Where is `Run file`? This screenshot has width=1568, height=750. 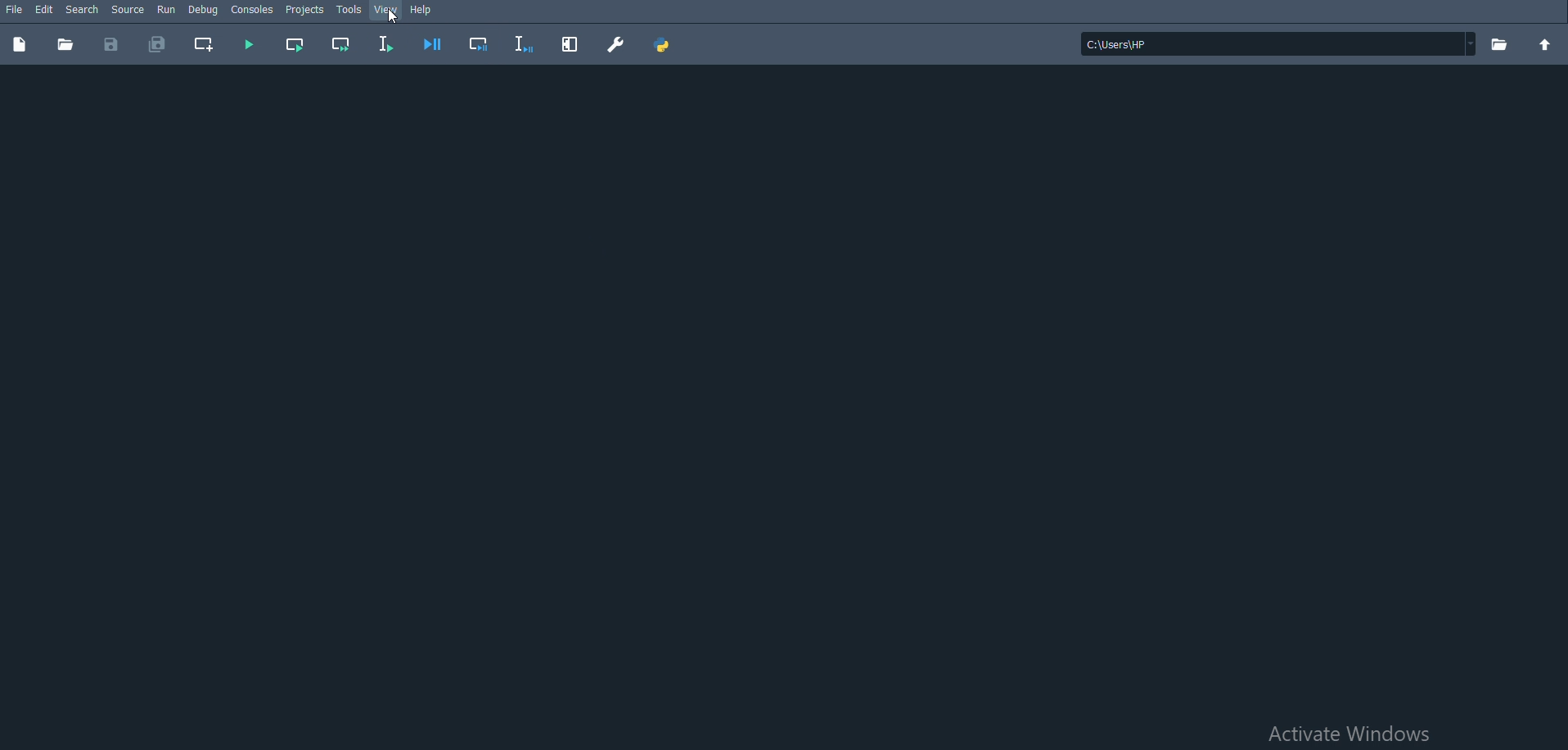 Run file is located at coordinates (249, 44).